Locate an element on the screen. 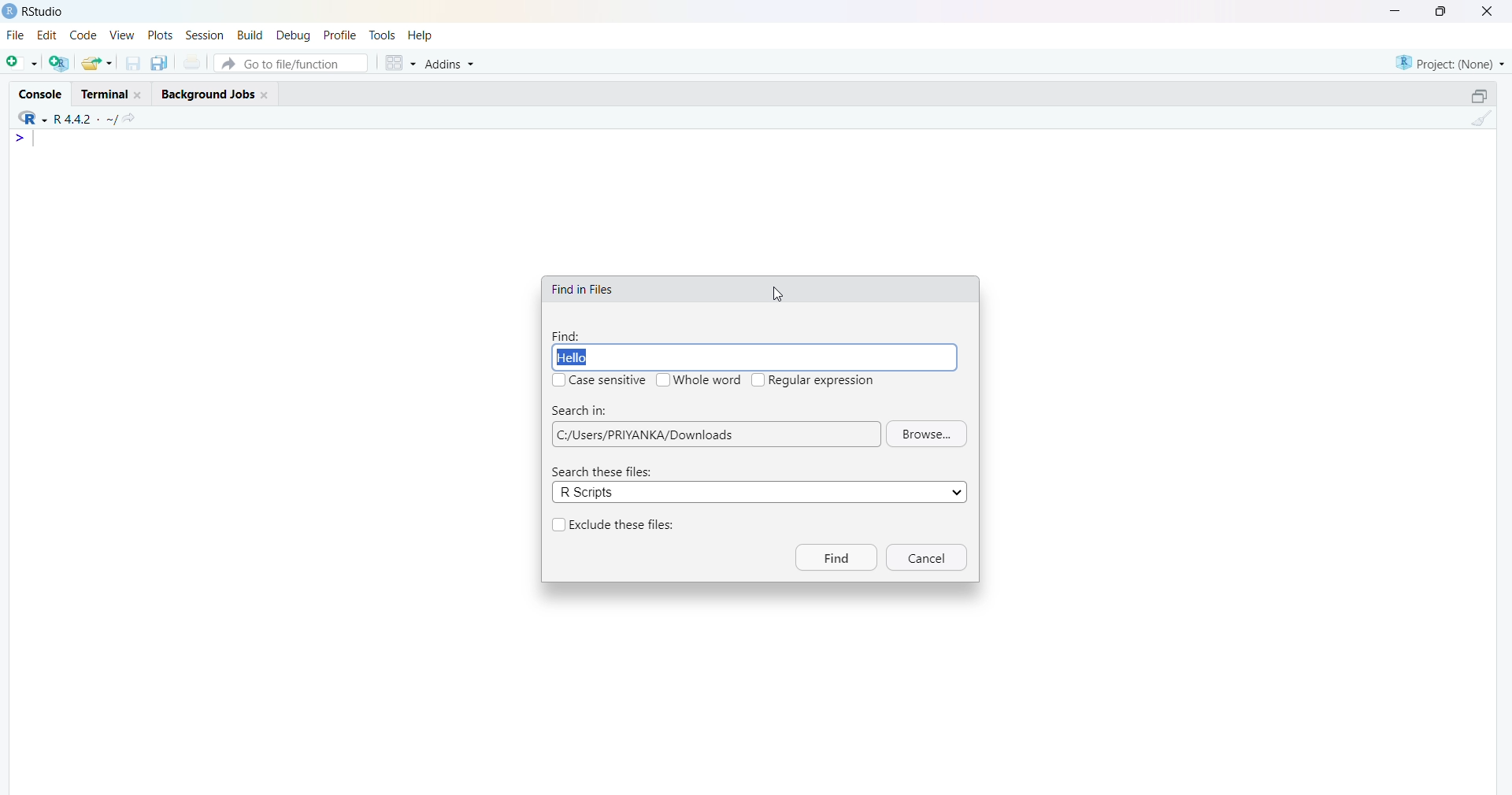 The width and height of the screenshot is (1512, 795). Clean  is located at coordinates (1481, 117).